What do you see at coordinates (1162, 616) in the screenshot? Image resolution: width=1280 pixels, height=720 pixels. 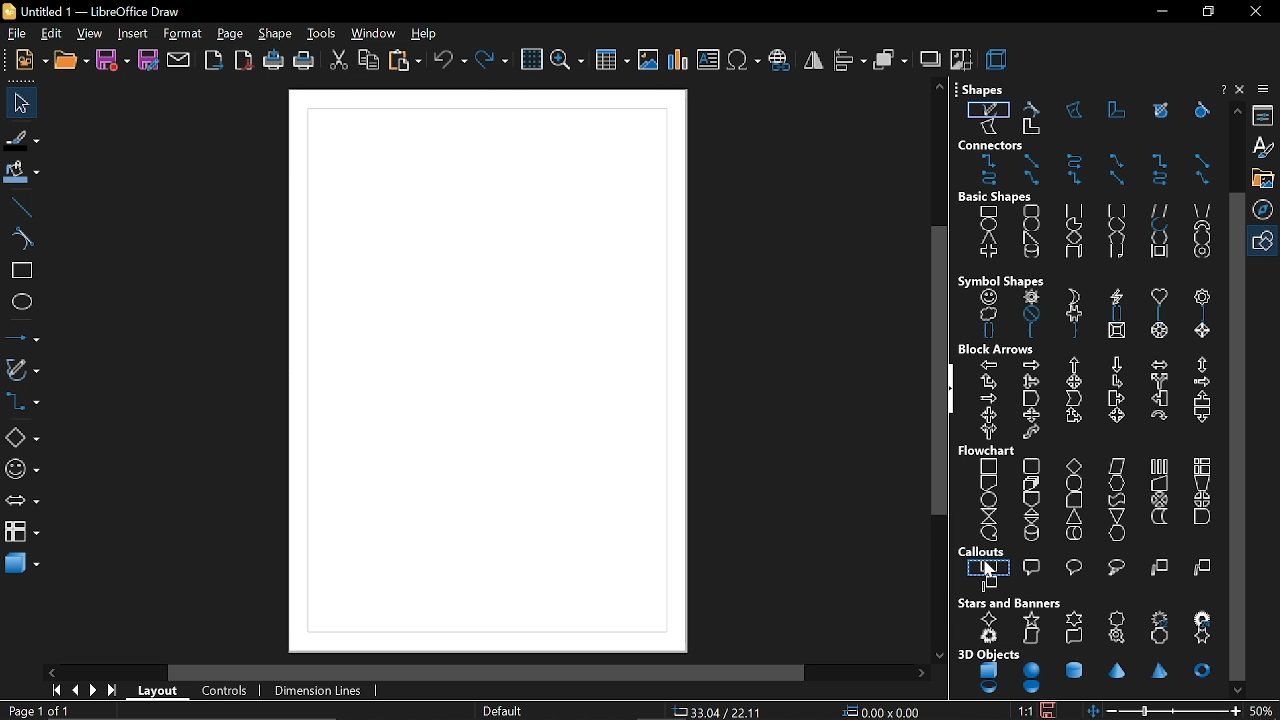 I see `12 point star` at bounding box center [1162, 616].